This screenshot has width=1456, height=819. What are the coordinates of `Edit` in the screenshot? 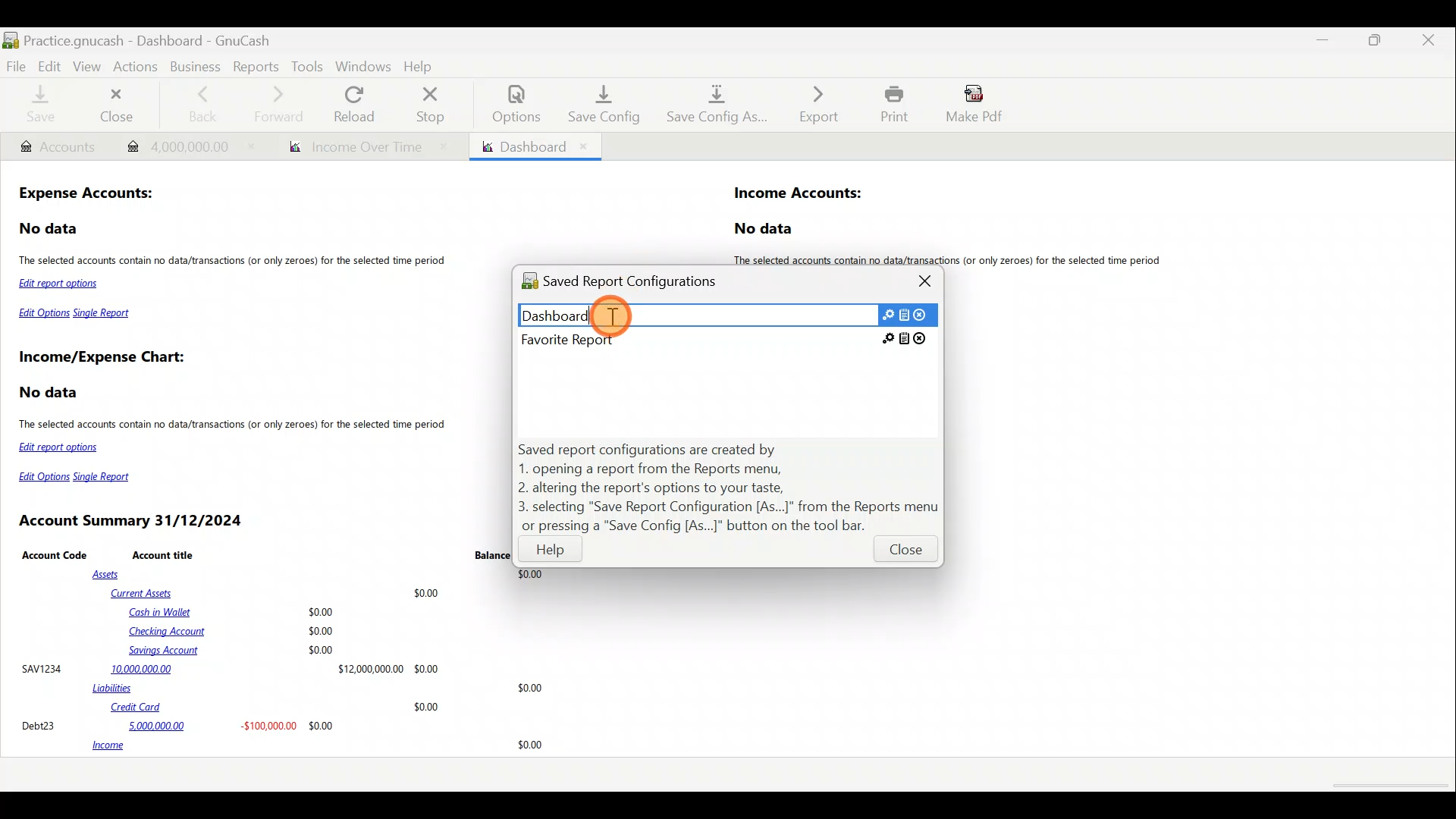 It's located at (49, 65).